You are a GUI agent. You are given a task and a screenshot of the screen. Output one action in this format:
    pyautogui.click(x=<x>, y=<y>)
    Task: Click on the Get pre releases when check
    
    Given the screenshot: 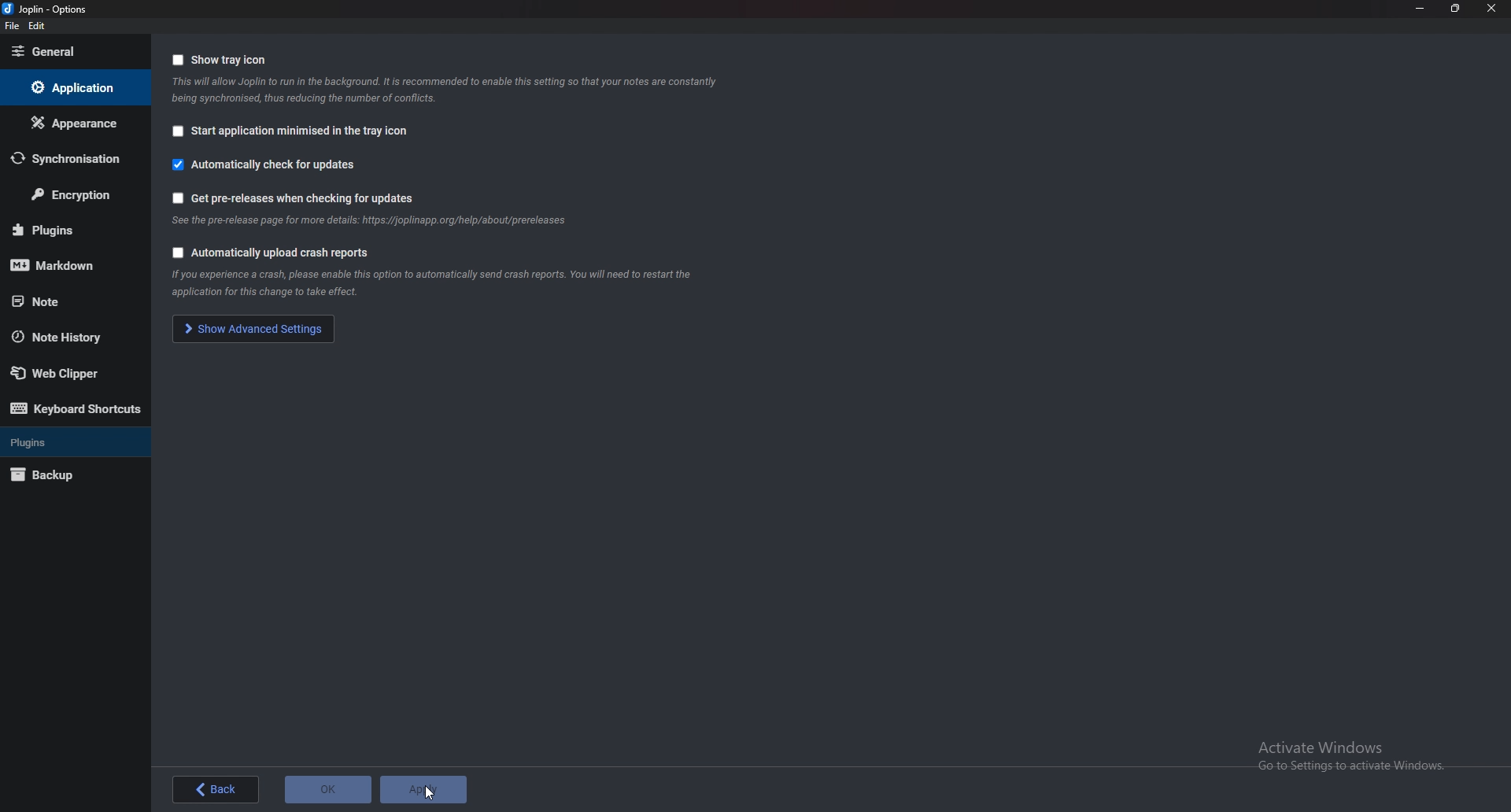 What is the action you would take?
    pyautogui.click(x=306, y=197)
    